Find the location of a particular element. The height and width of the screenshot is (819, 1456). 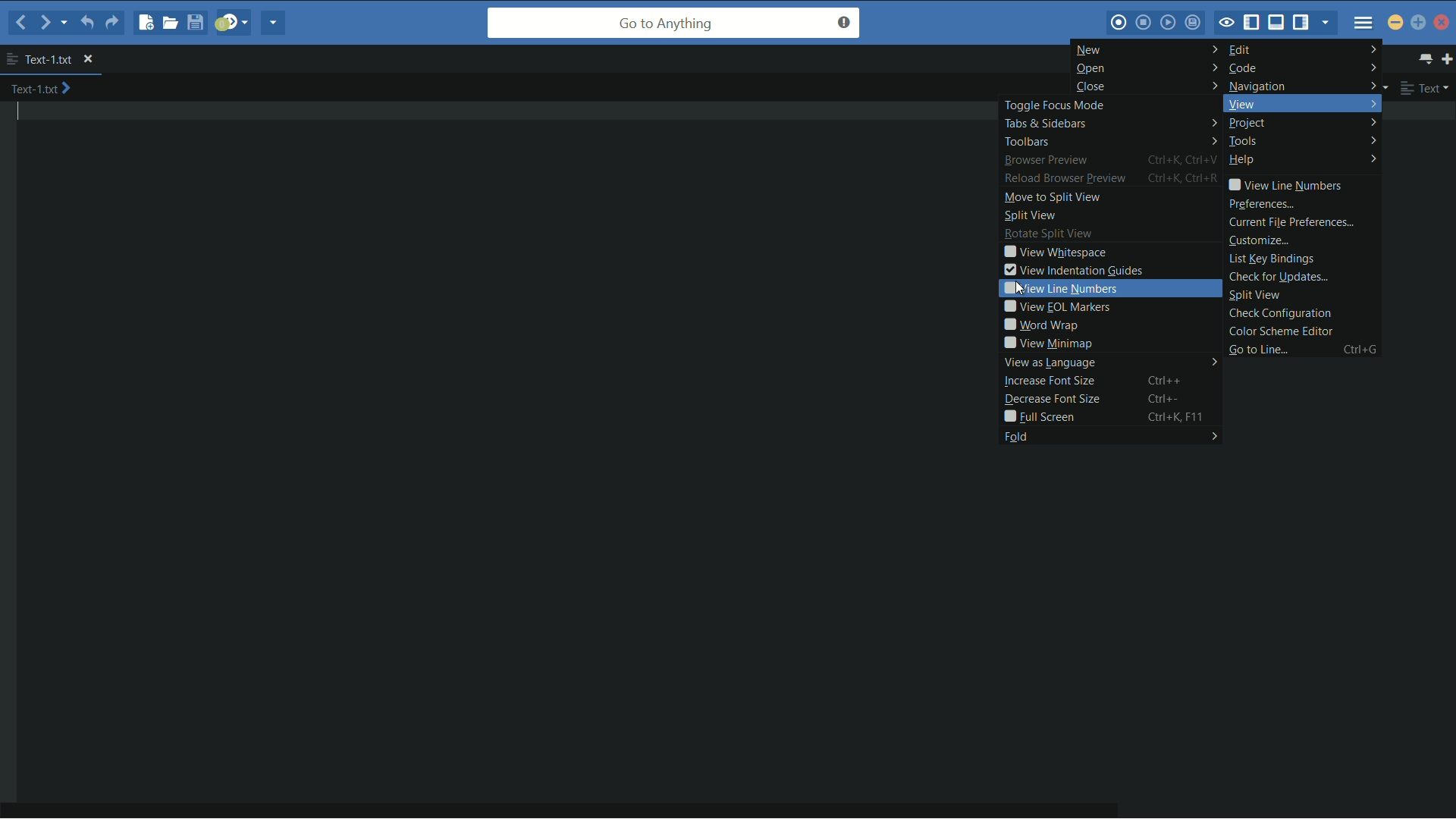

customize is located at coordinates (1258, 240).